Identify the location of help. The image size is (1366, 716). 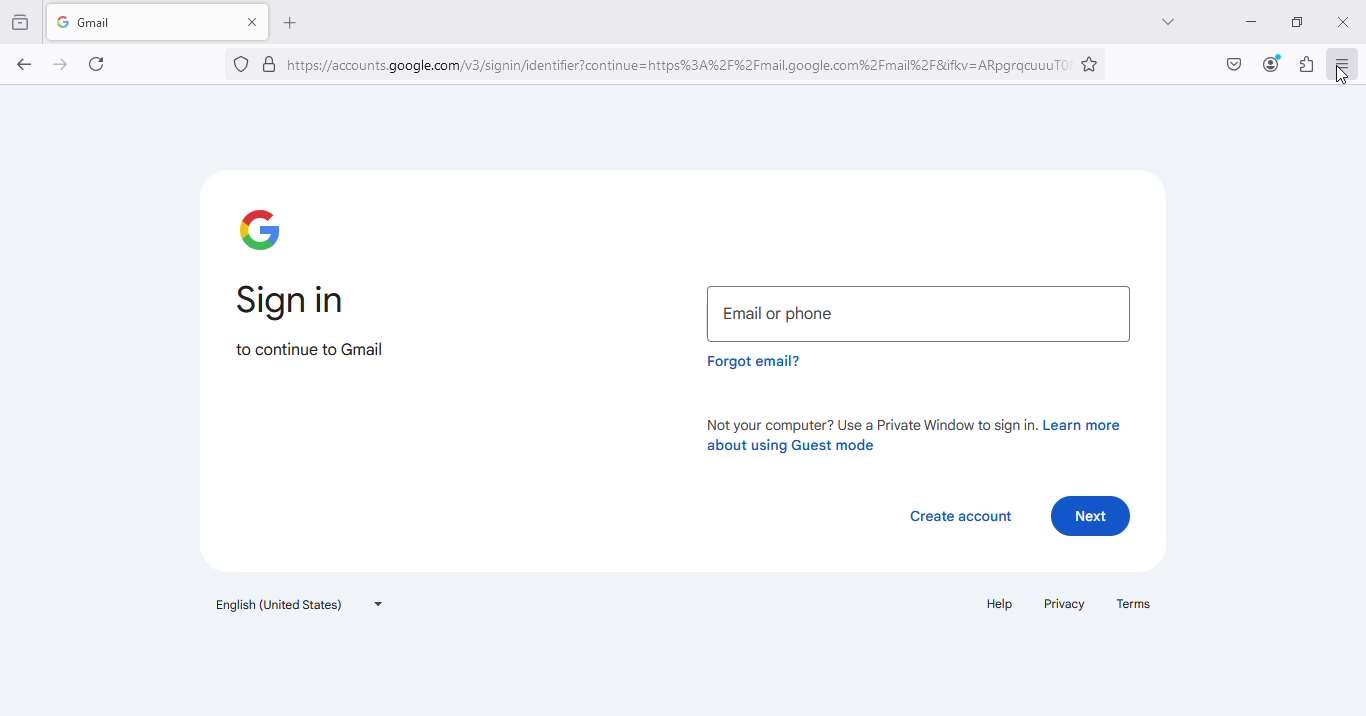
(1001, 603).